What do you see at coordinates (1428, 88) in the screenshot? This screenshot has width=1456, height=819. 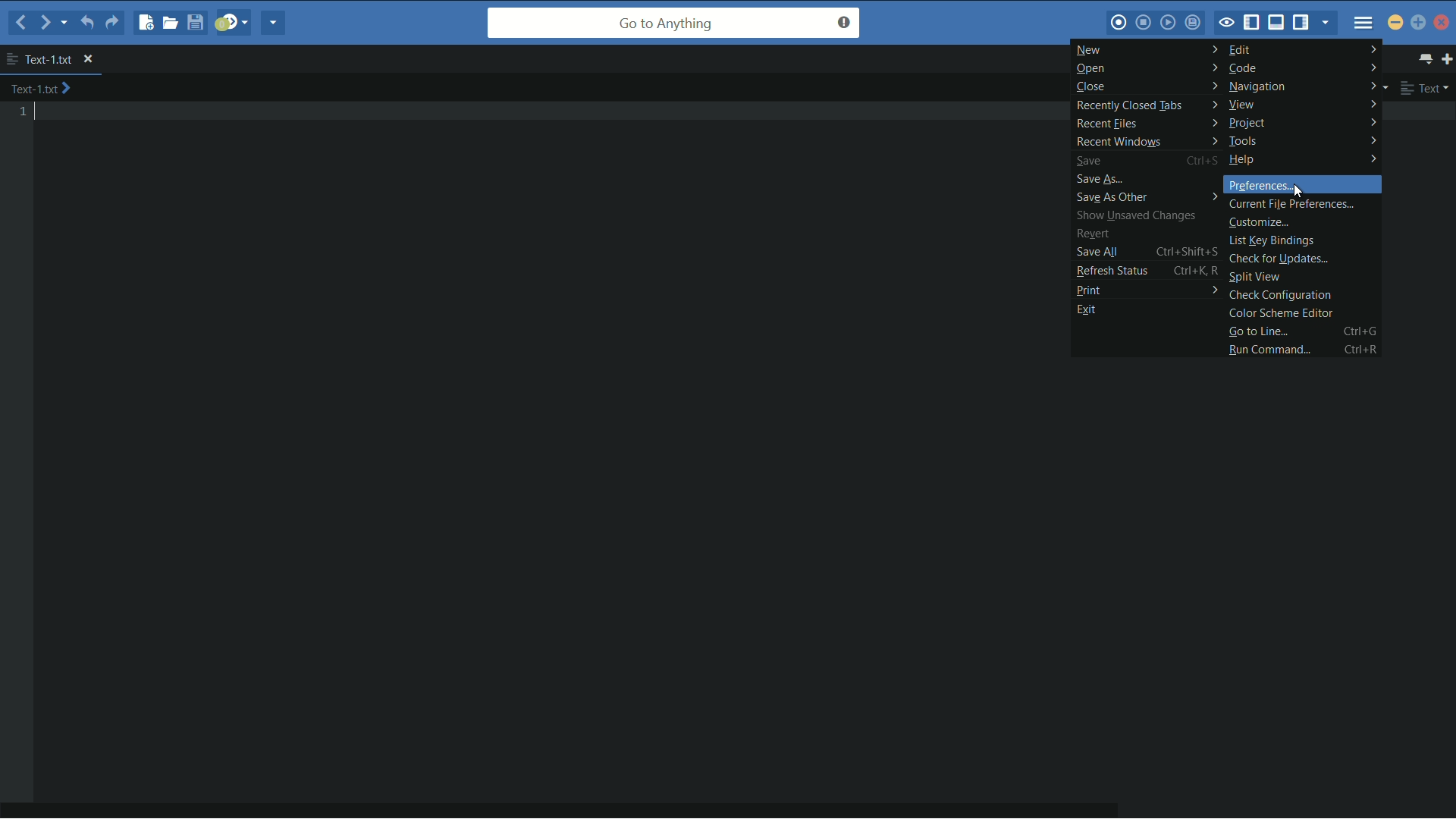 I see `text` at bounding box center [1428, 88].